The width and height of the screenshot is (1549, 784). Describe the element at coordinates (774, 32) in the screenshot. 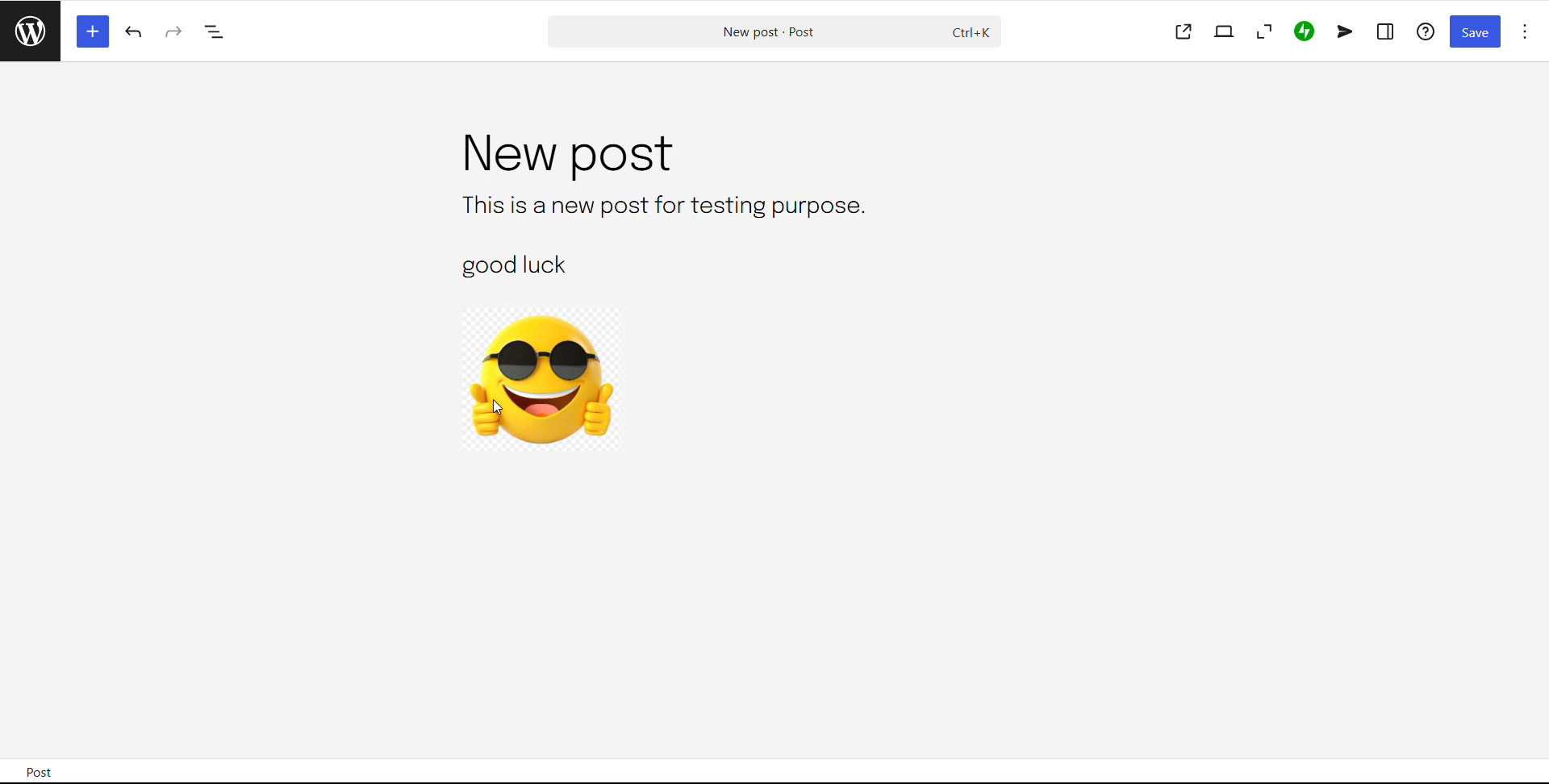

I see `search post and commands` at that location.